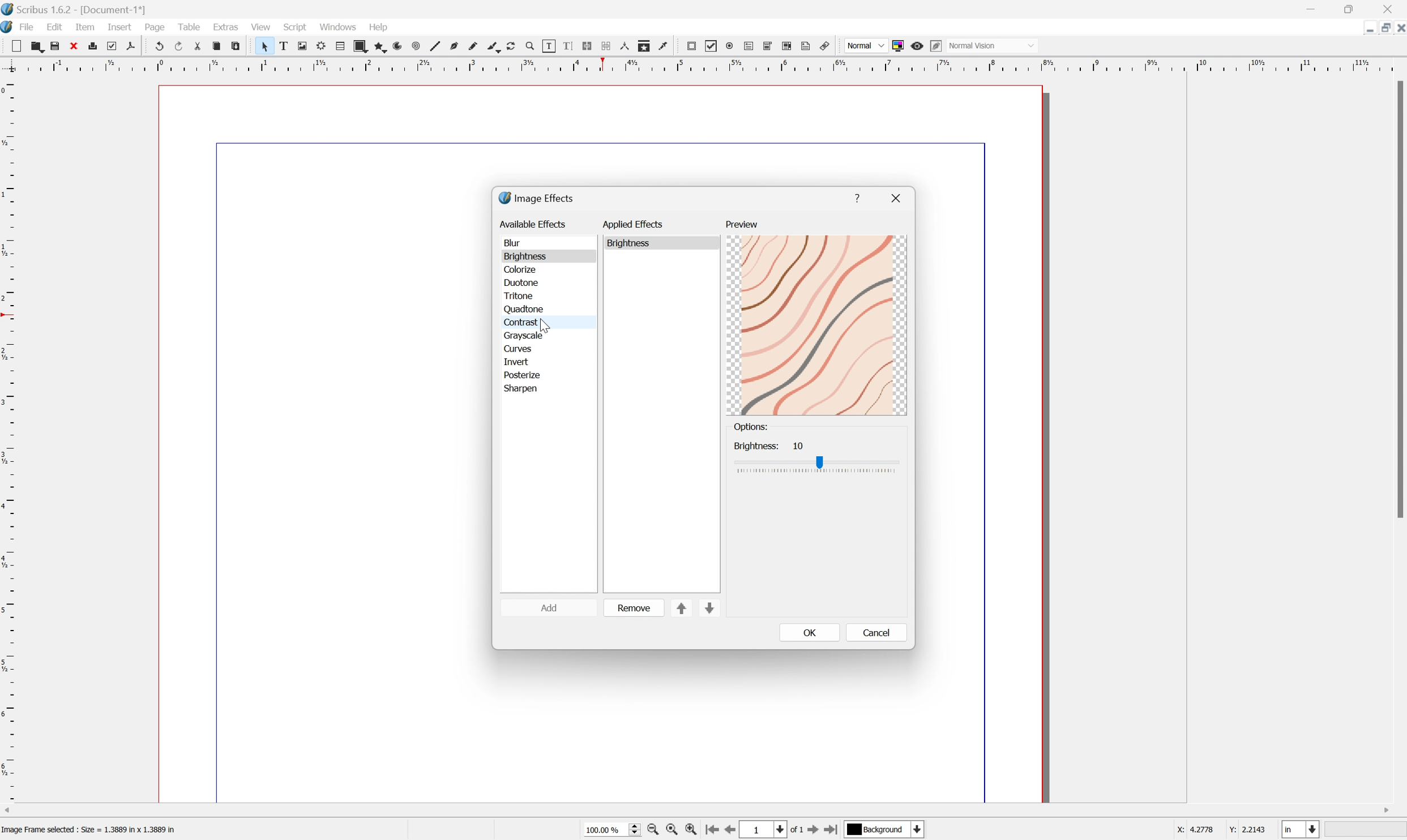 The height and width of the screenshot is (840, 1407). What do you see at coordinates (713, 829) in the screenshot?
I see `First Page` at bounding box center [713, 829].